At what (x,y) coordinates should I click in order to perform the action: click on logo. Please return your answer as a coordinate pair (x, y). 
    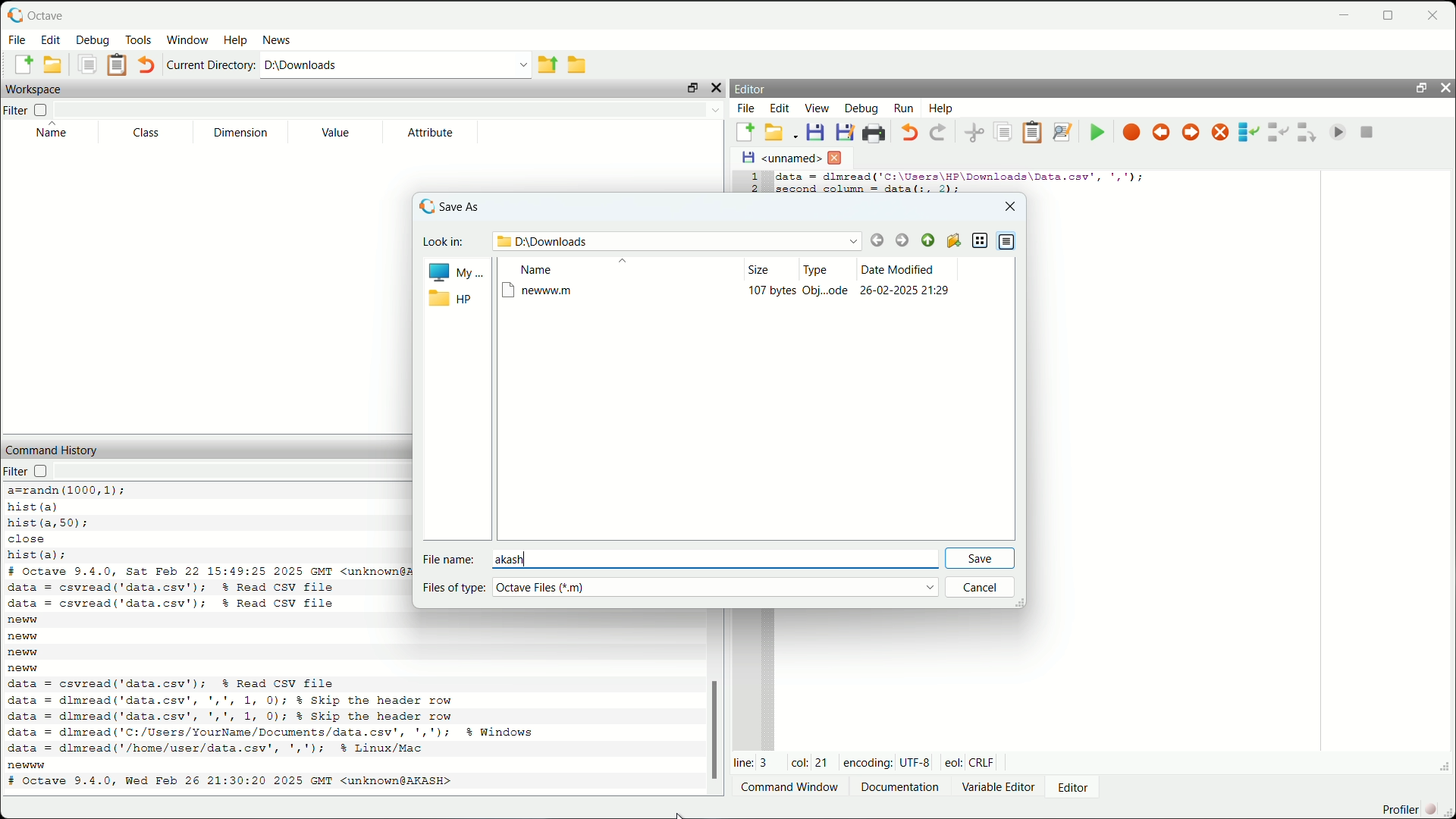
    Looking at the image, I should click on (425, 206).